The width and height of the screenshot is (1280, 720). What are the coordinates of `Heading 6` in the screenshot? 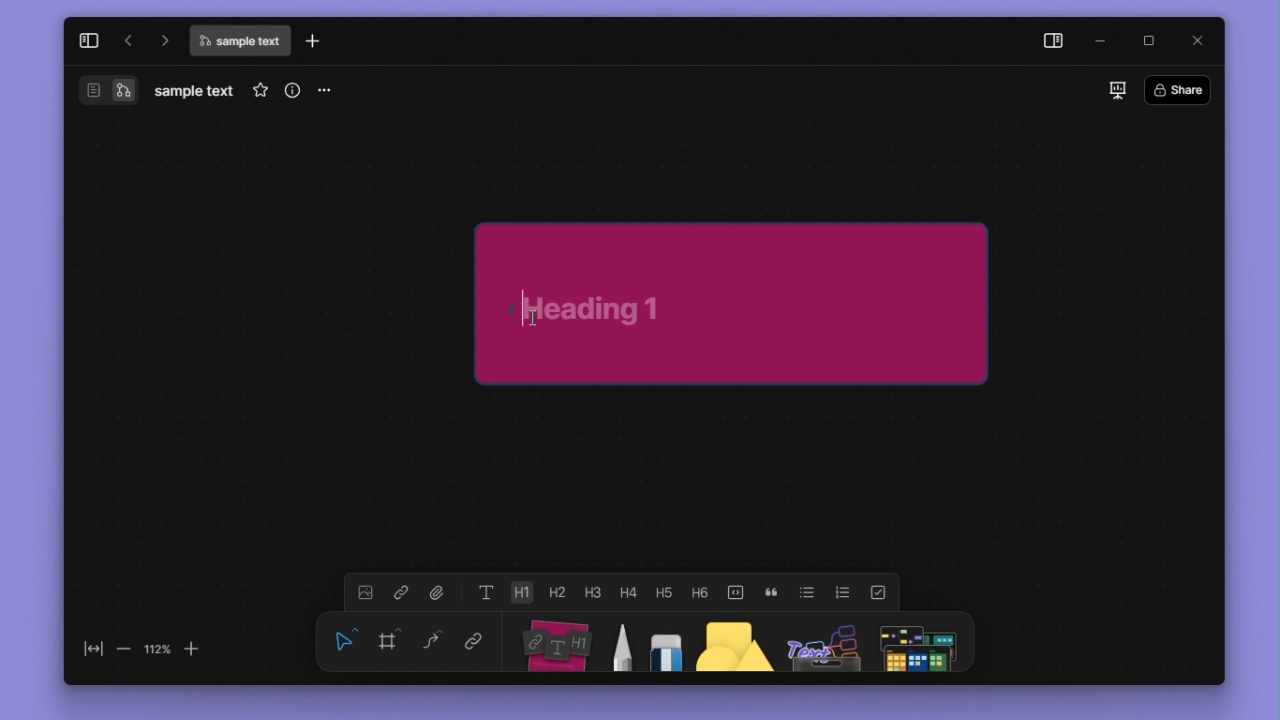 It's located at (698, 591).